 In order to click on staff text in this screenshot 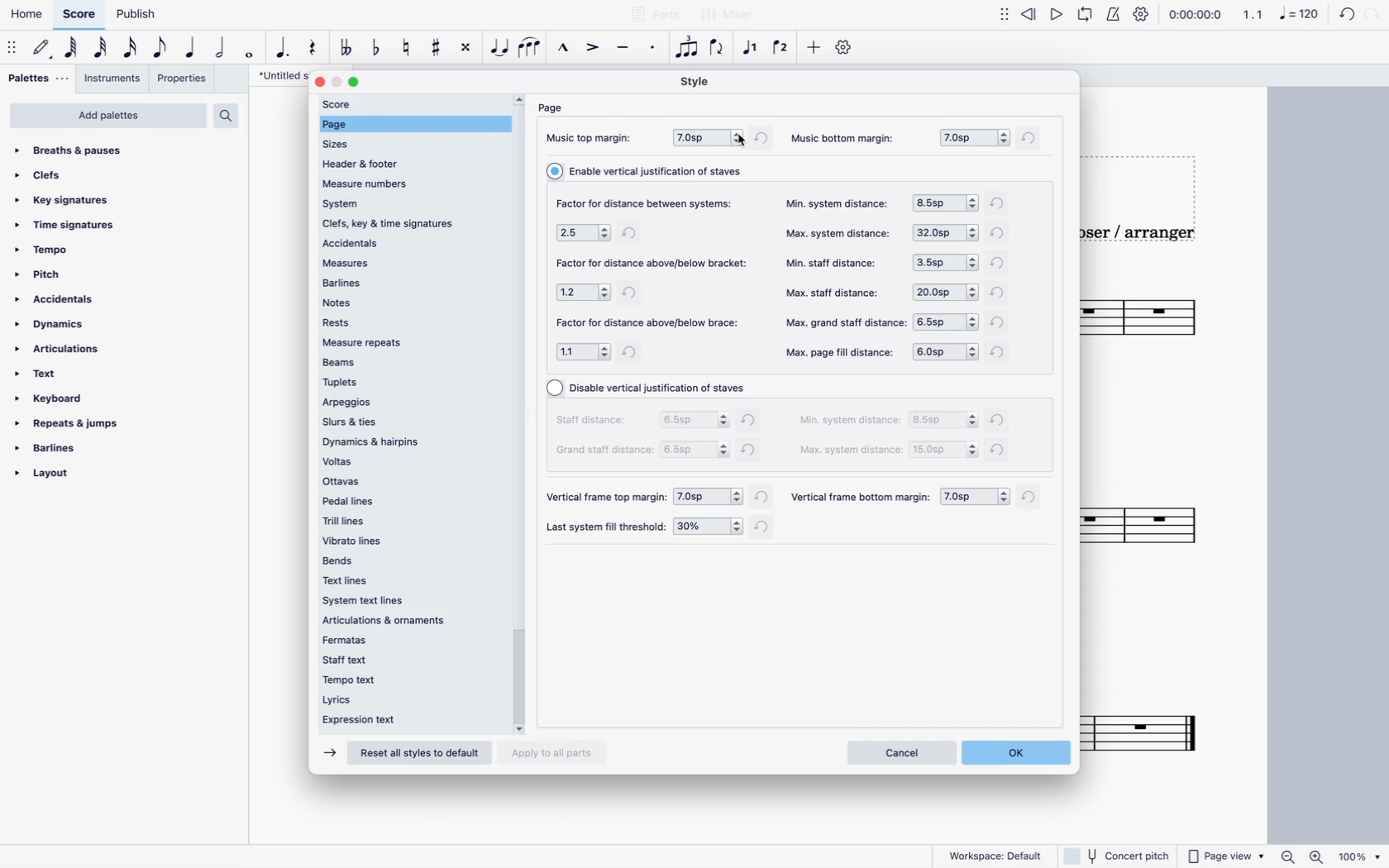, I will do `click(401, 658)`.